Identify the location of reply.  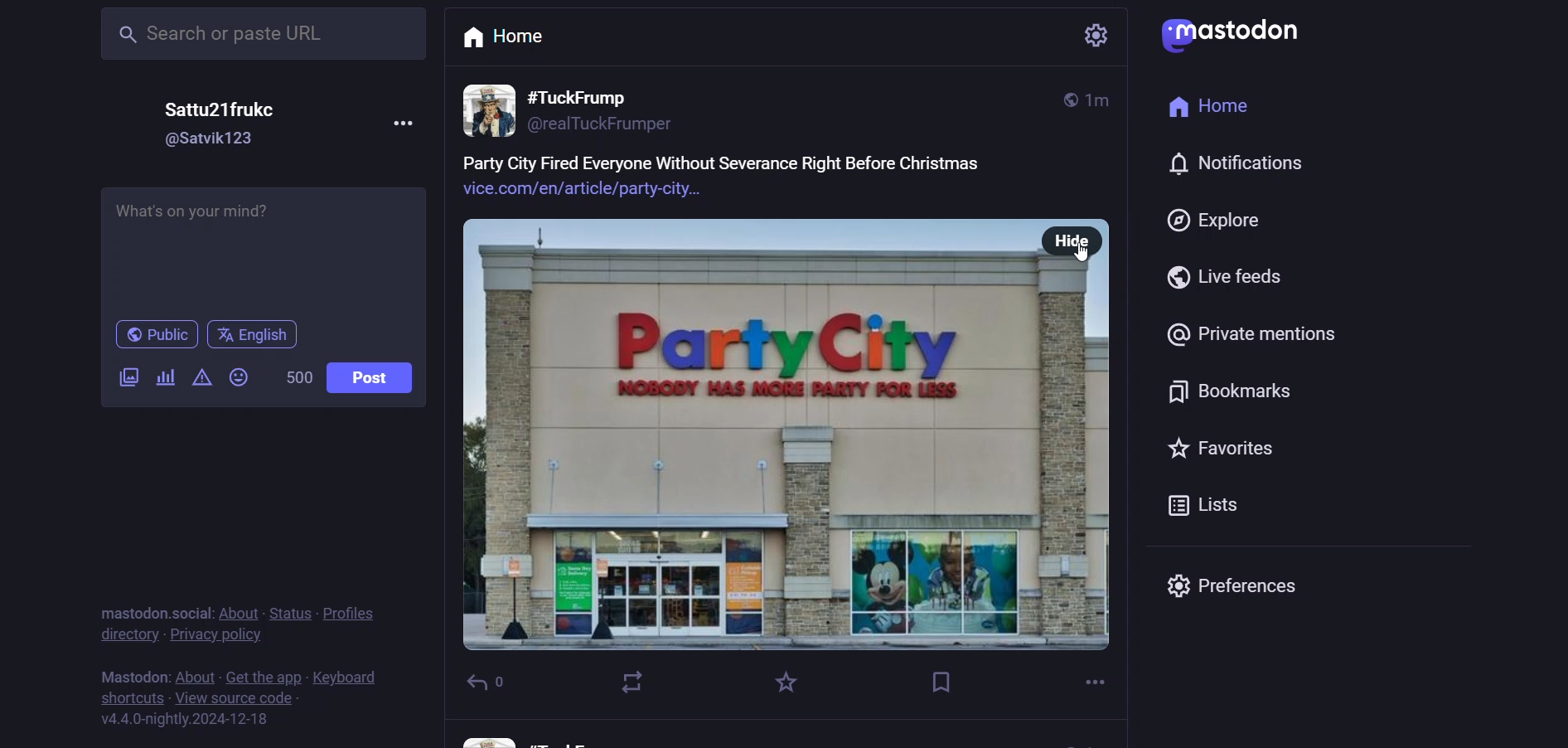
(505, 684).